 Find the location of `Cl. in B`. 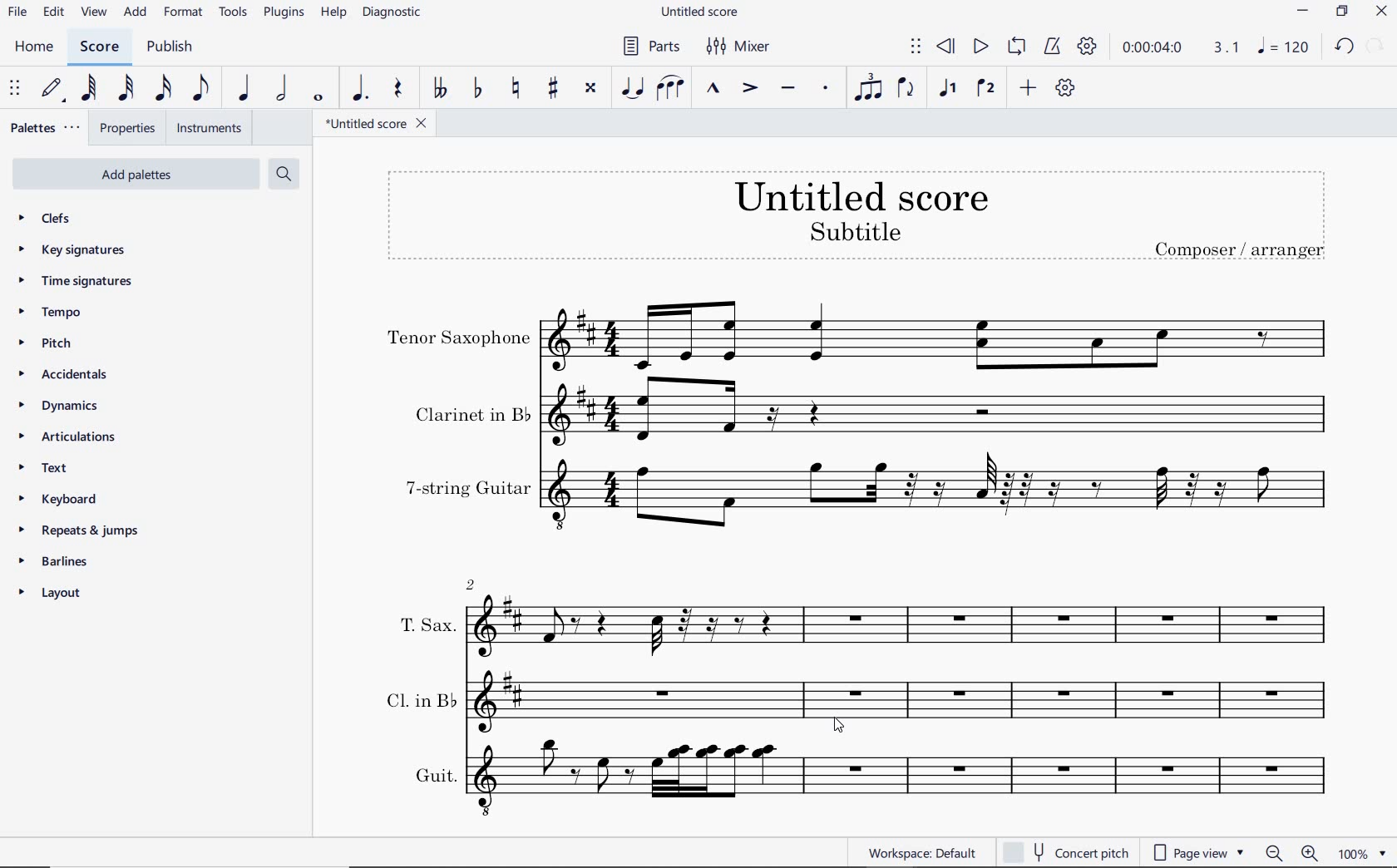

Cl. in B is located at coordinates (859, 703).